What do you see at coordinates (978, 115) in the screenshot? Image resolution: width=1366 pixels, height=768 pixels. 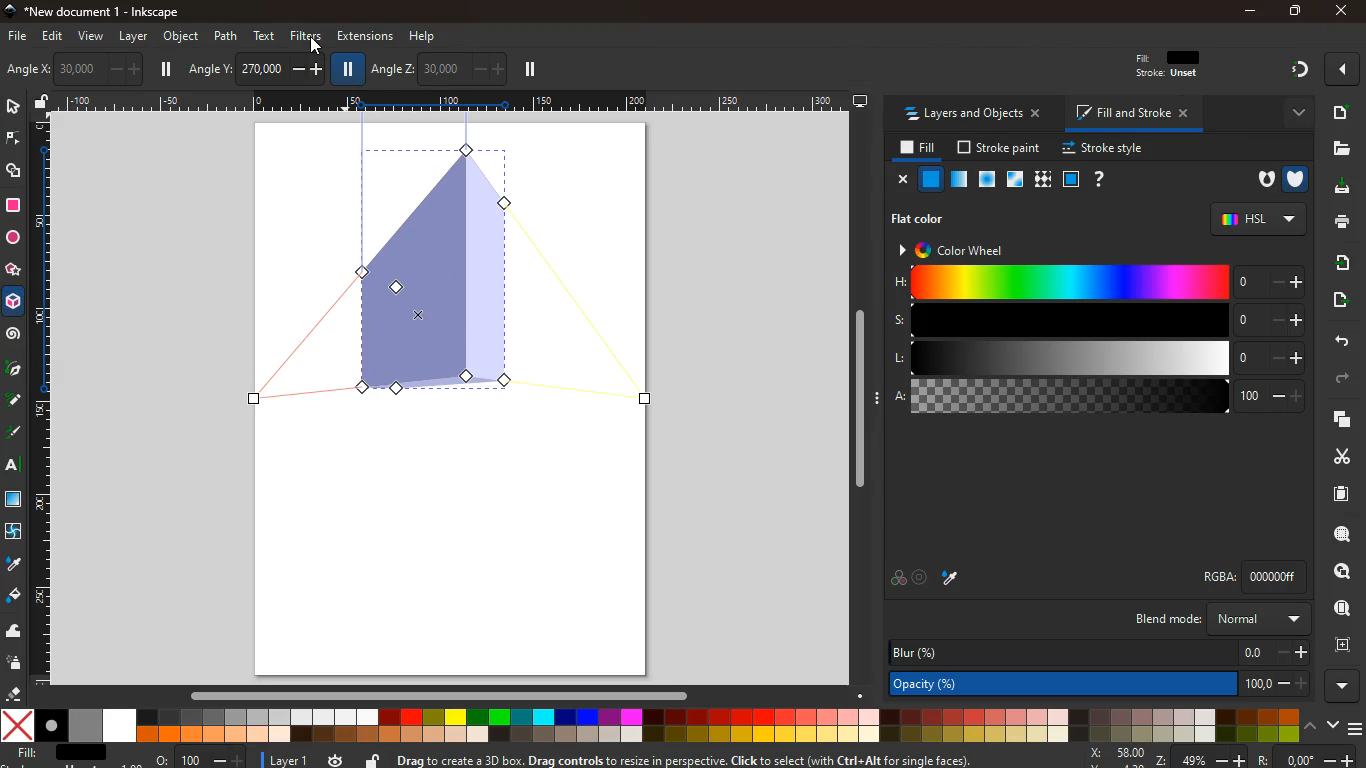 I see `layers and objects` at bounding box center [978, 115].